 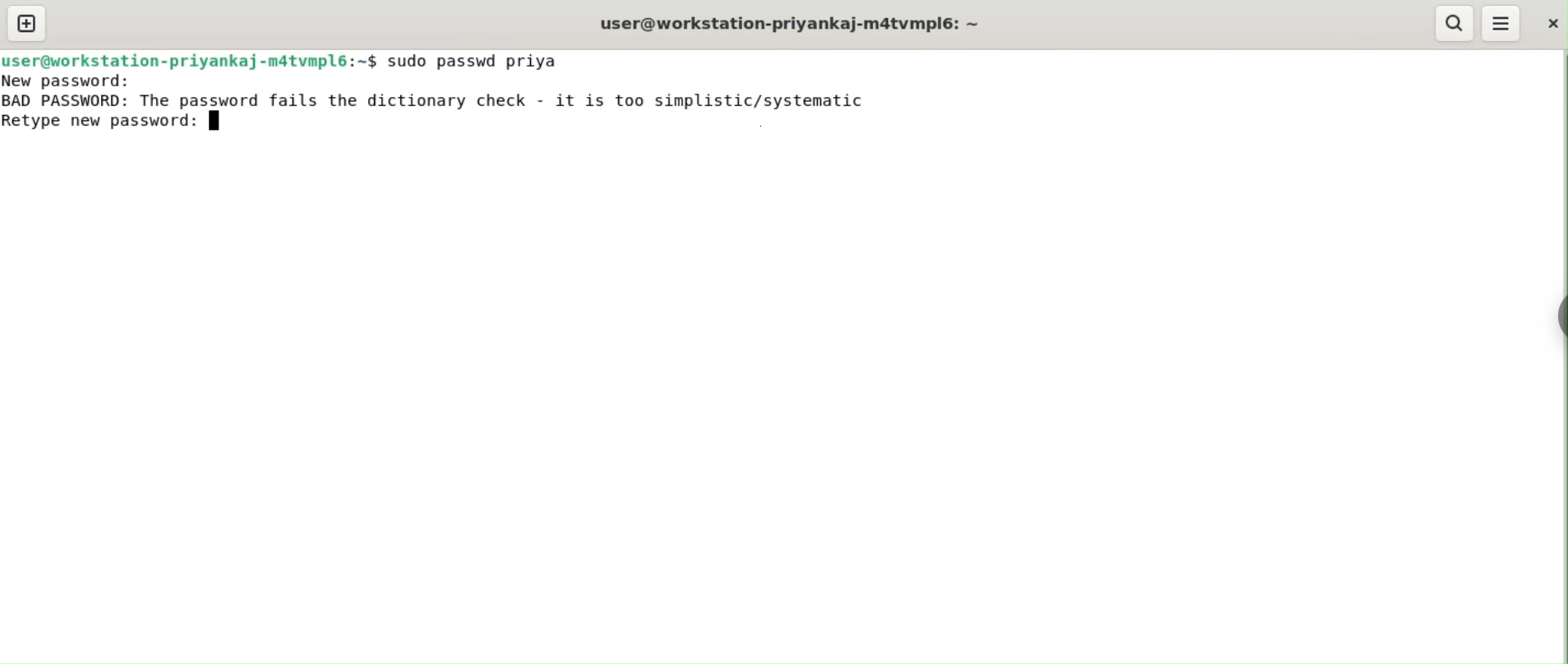 I want to click on BAD PASSWORD: The password fails the dictionary check- it is too simplistic/systematic, so click(x=450, y=99).